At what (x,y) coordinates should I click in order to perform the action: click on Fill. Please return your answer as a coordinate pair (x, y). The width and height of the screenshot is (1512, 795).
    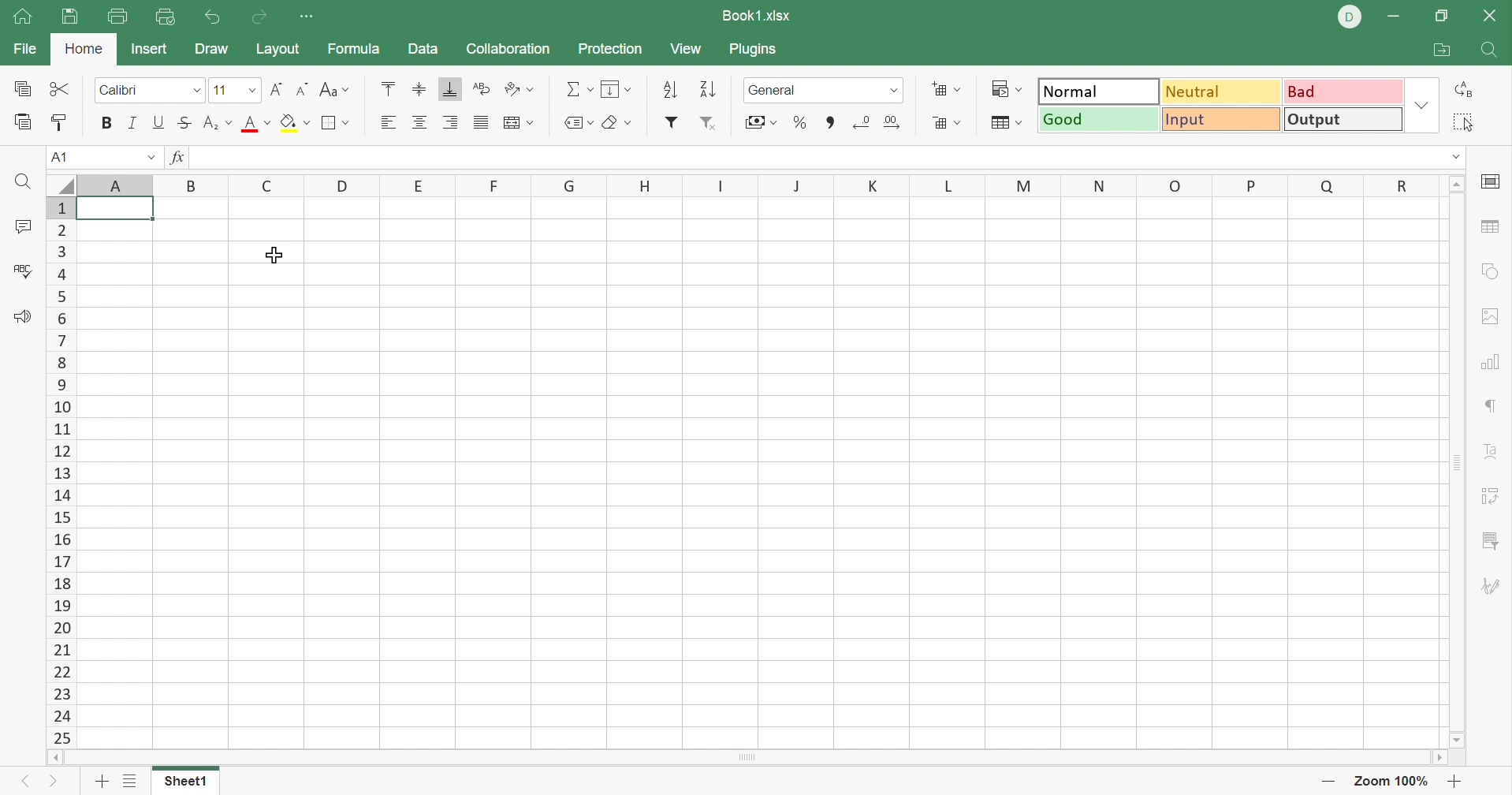
    Looking at the image, I should click on (616, 90).